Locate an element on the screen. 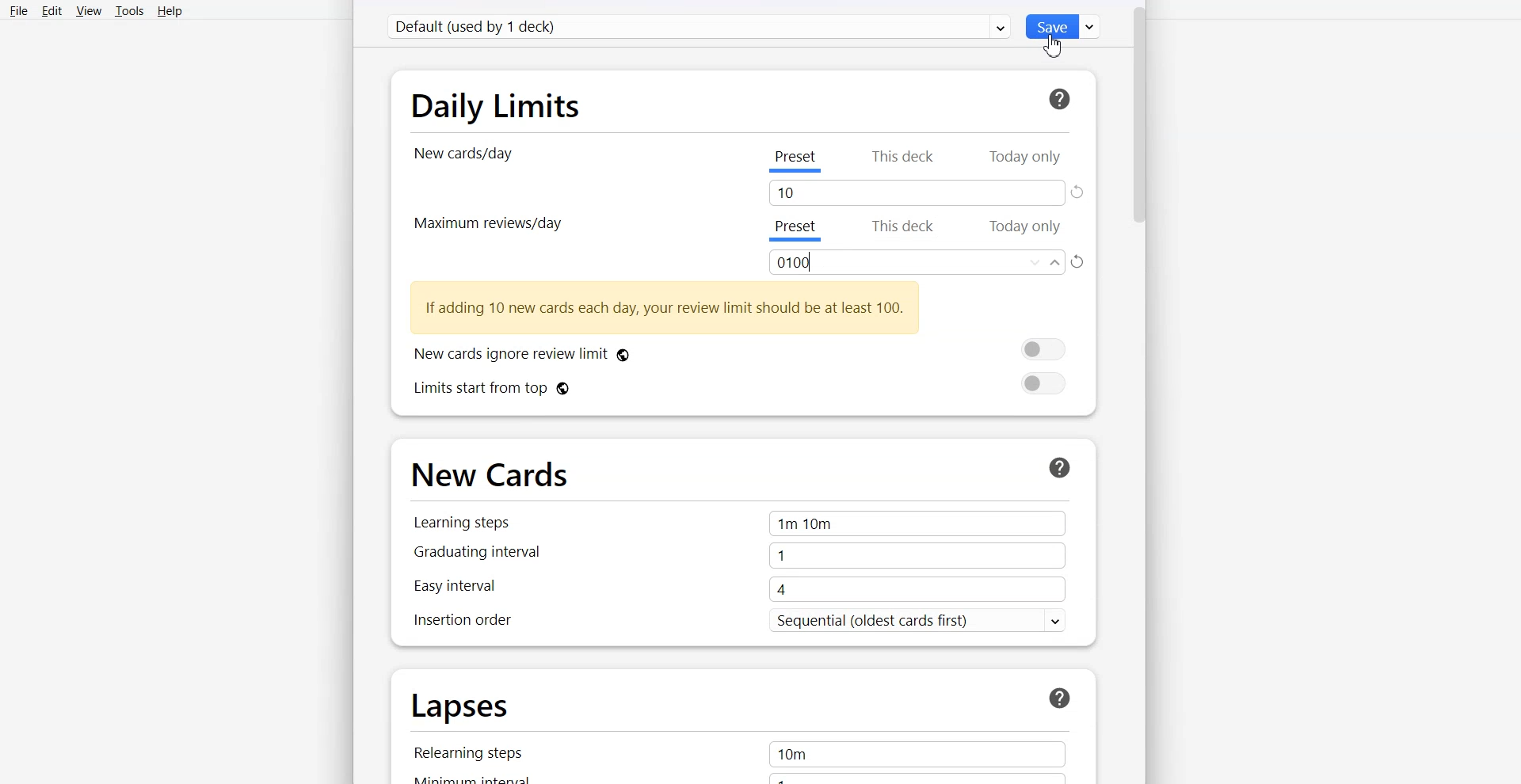 The image size is (1521, 784). Cursor is located at coordinates (1052, 44).